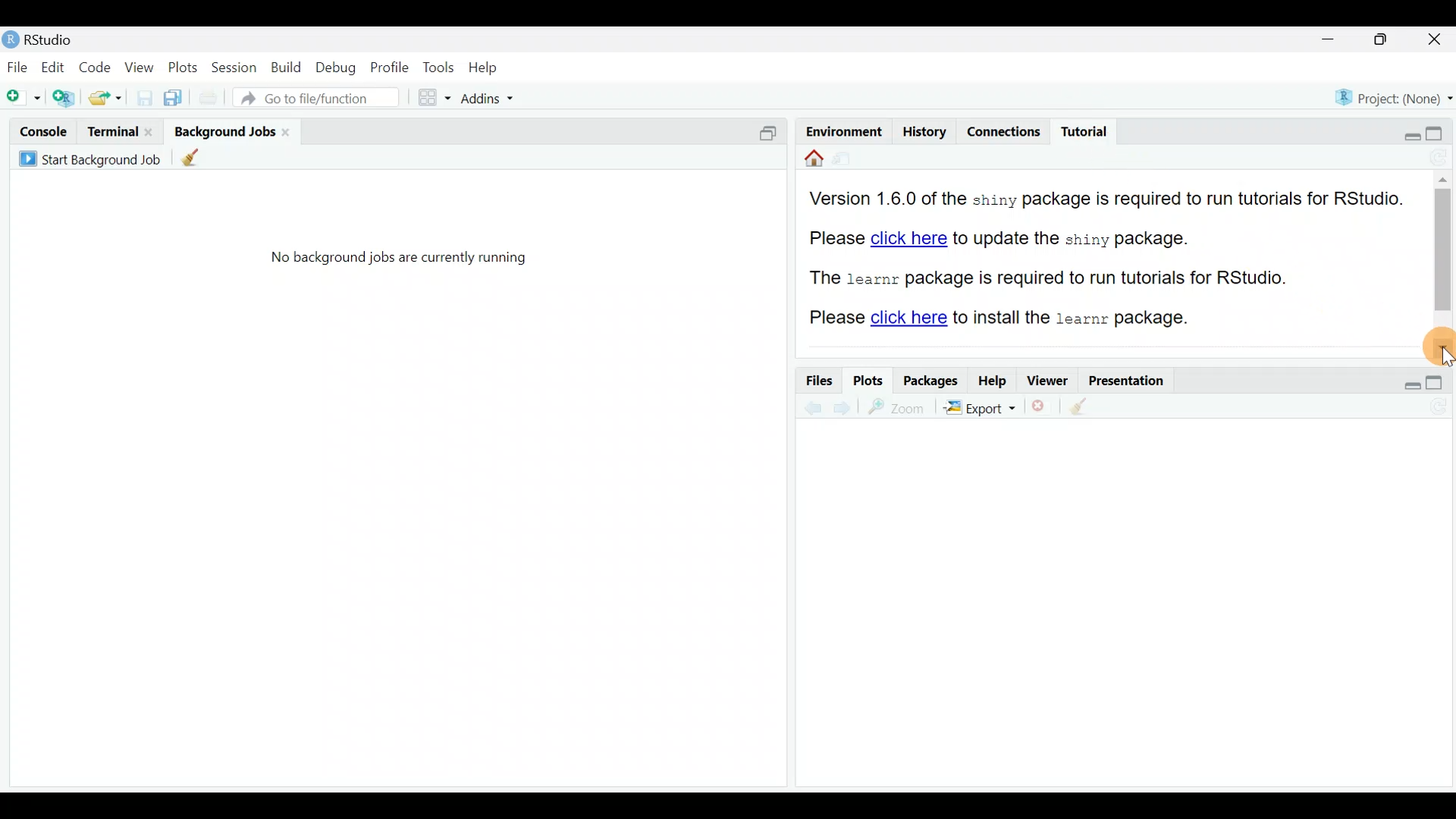 This screenshot has width=1456, height=819. Describe the element at coordinates (199, 160) in the screenshot. I see `clean up all completed background jobs` at that location.